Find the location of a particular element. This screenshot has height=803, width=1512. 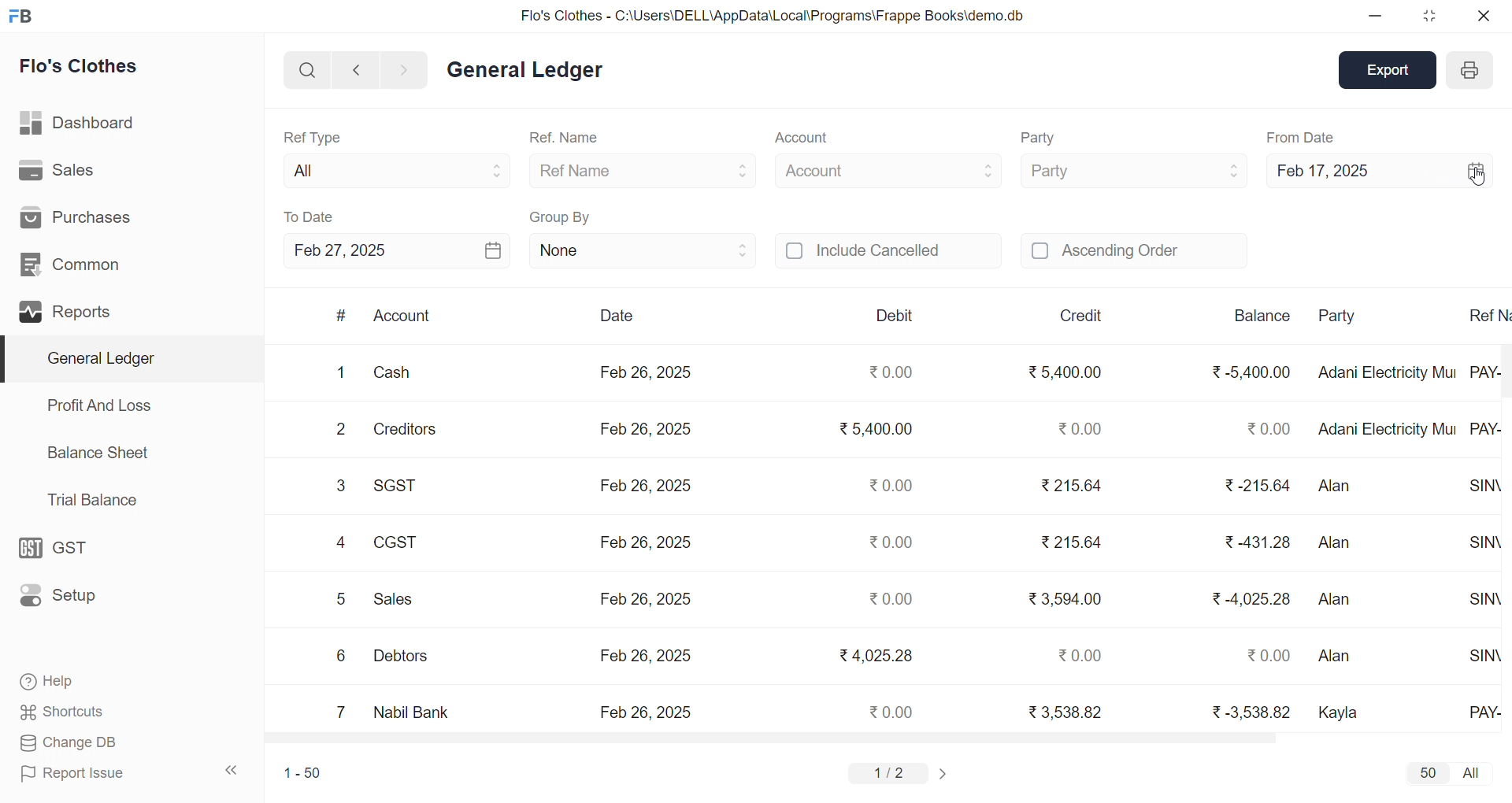

Feb 26, 2025 is located at coordinates (643, 655).